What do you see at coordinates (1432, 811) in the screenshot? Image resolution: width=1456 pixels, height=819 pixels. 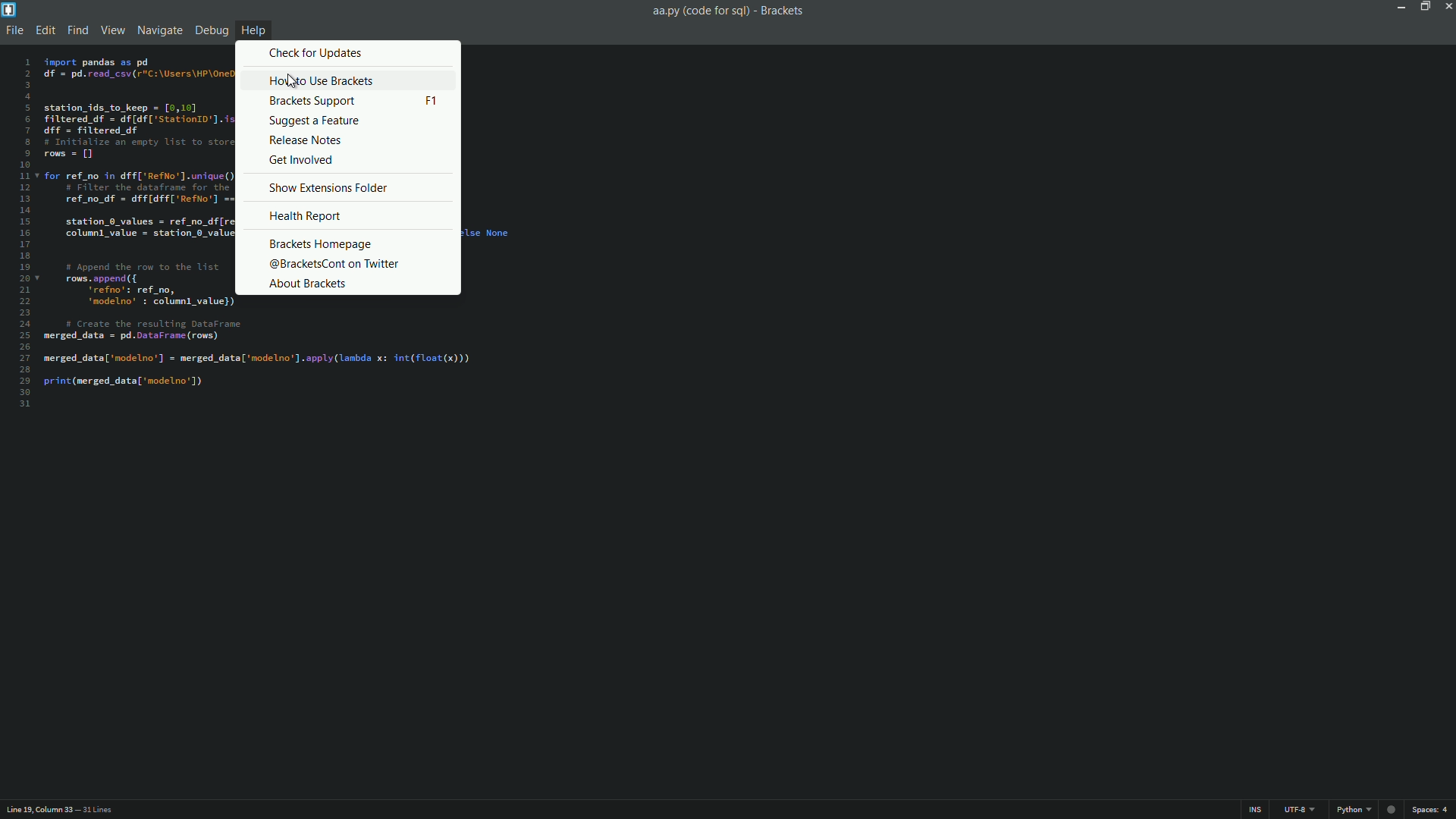 I see `space` at bounding box center [1432, 811].